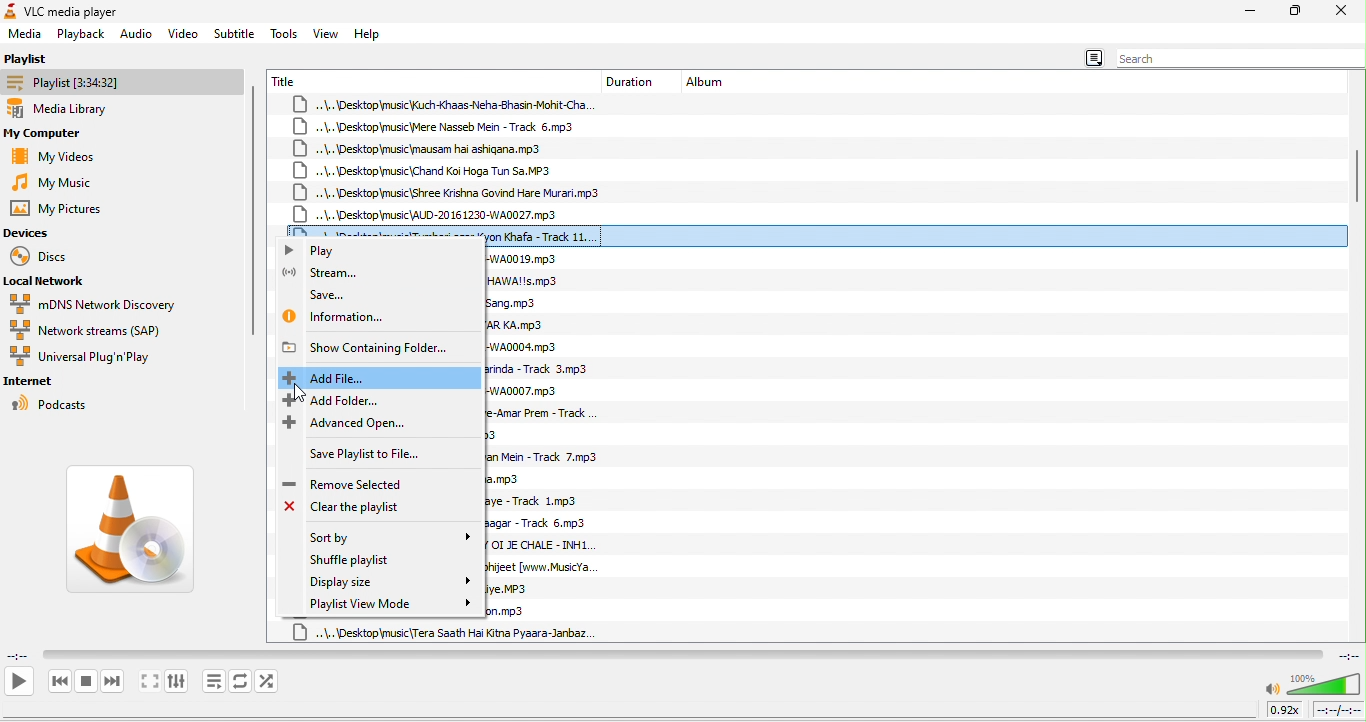 Image resolution: width=1366 pixels, height=722 pixels. I want to click on ..\..\Desktop\music\Tumse Mikar-Parinda - Track 3.mp3, so click(543, 371).